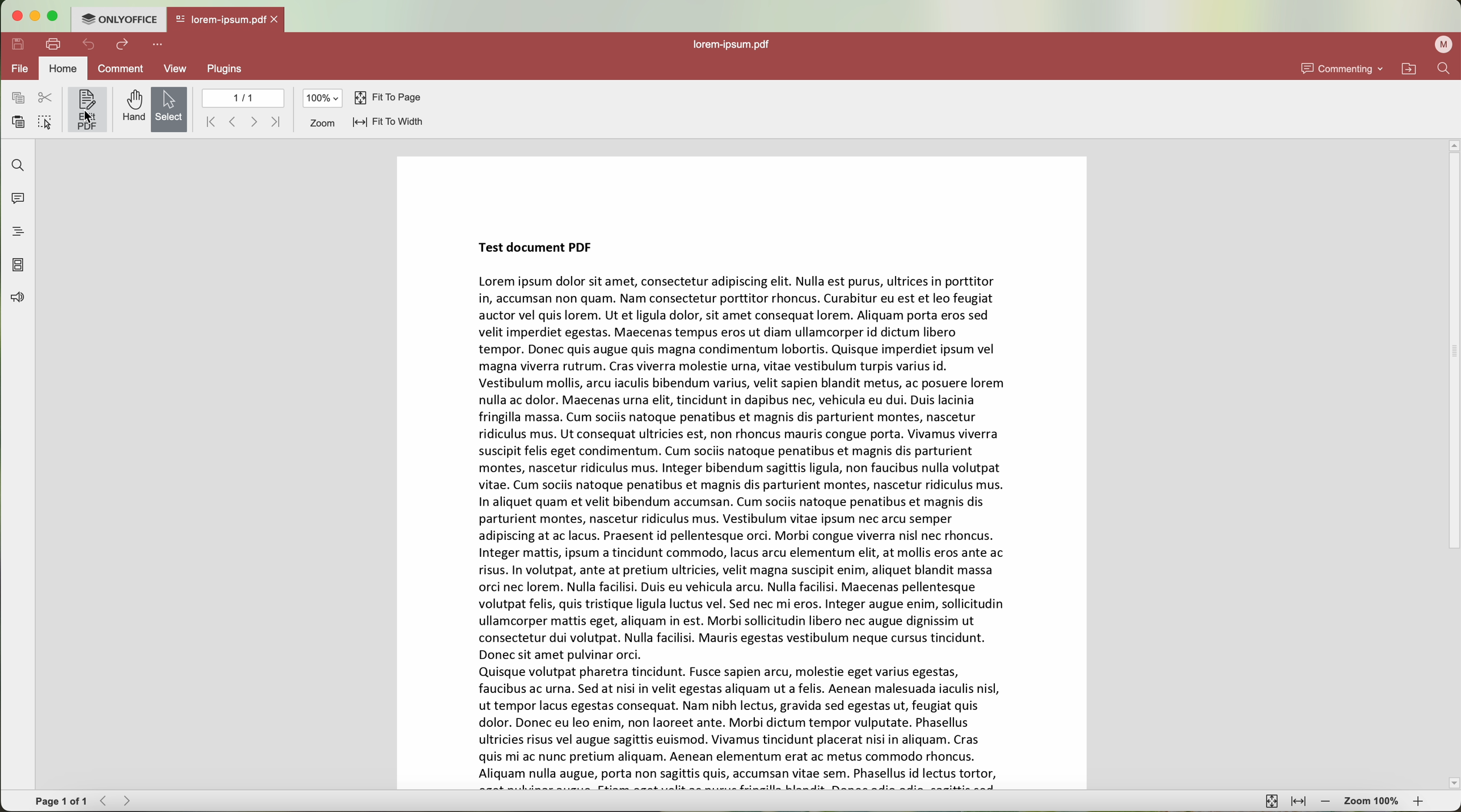 This screenshot has width=1461, height=812. Describe the element at coordinates (1443, 44) in the screenshot. I see `profile` at that location.